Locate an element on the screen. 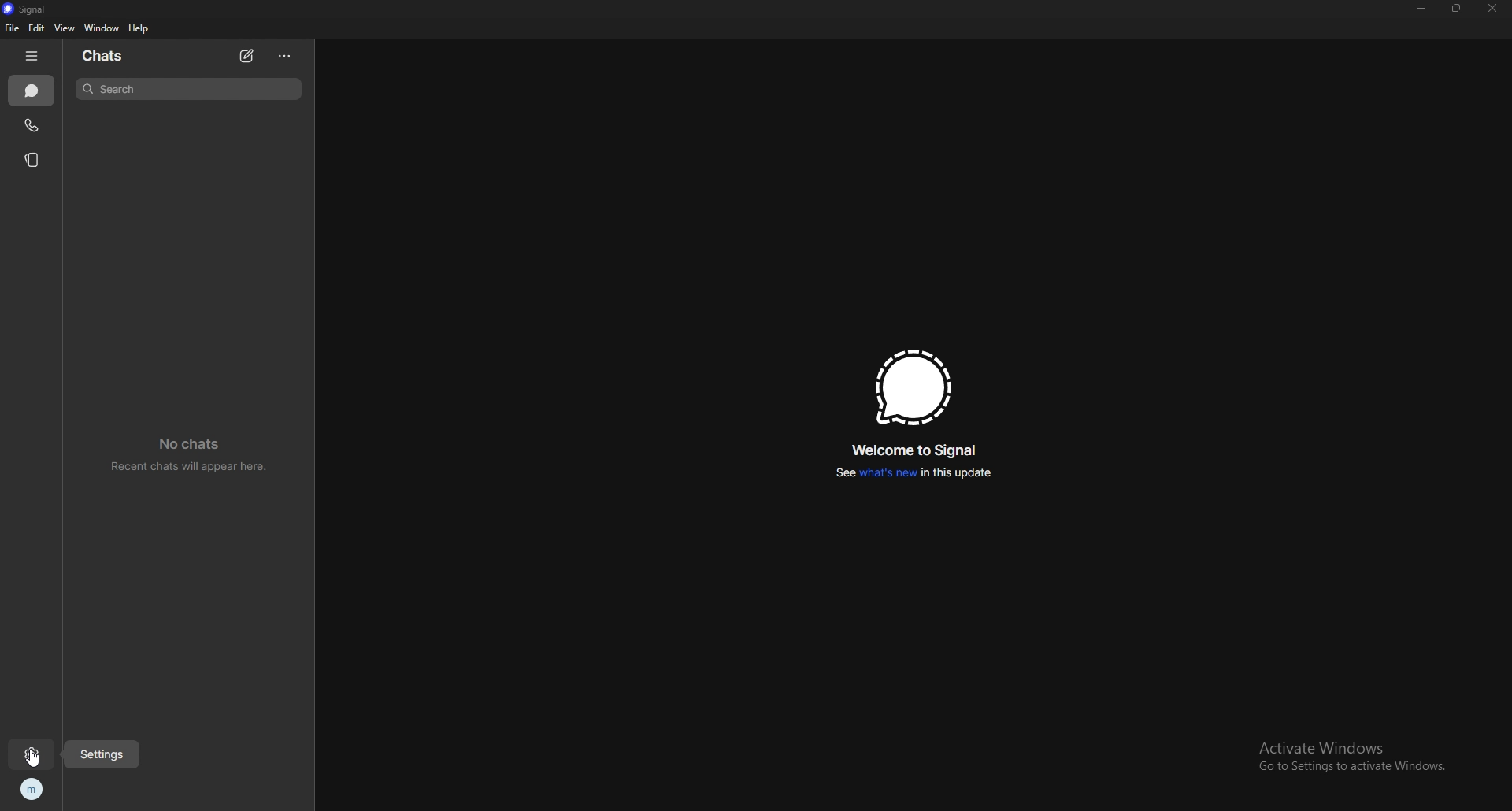 The width and height of the screenshot is (1512, 811). settings is located at coordinates (104, 754).